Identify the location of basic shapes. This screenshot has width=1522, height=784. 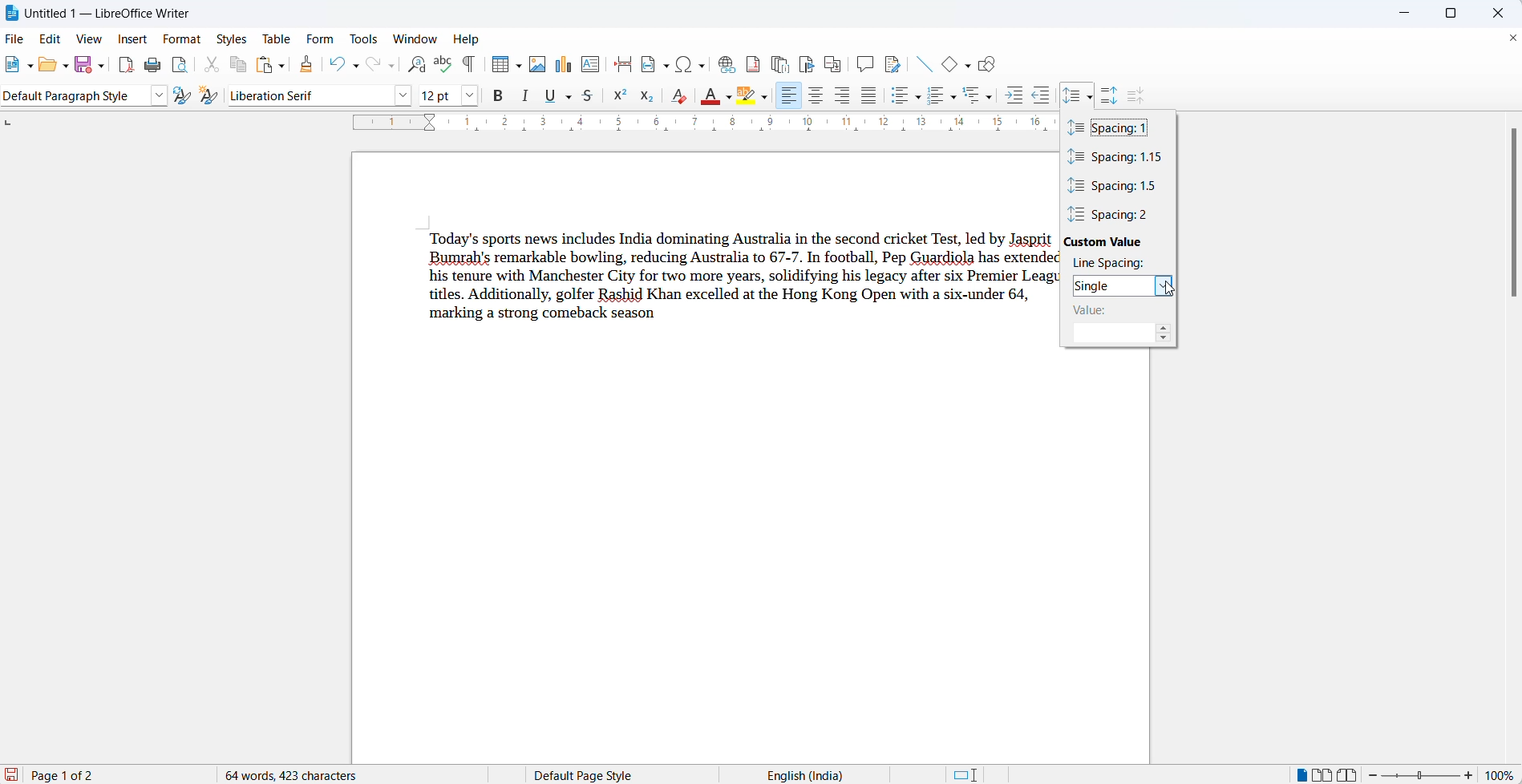
(945, 66).